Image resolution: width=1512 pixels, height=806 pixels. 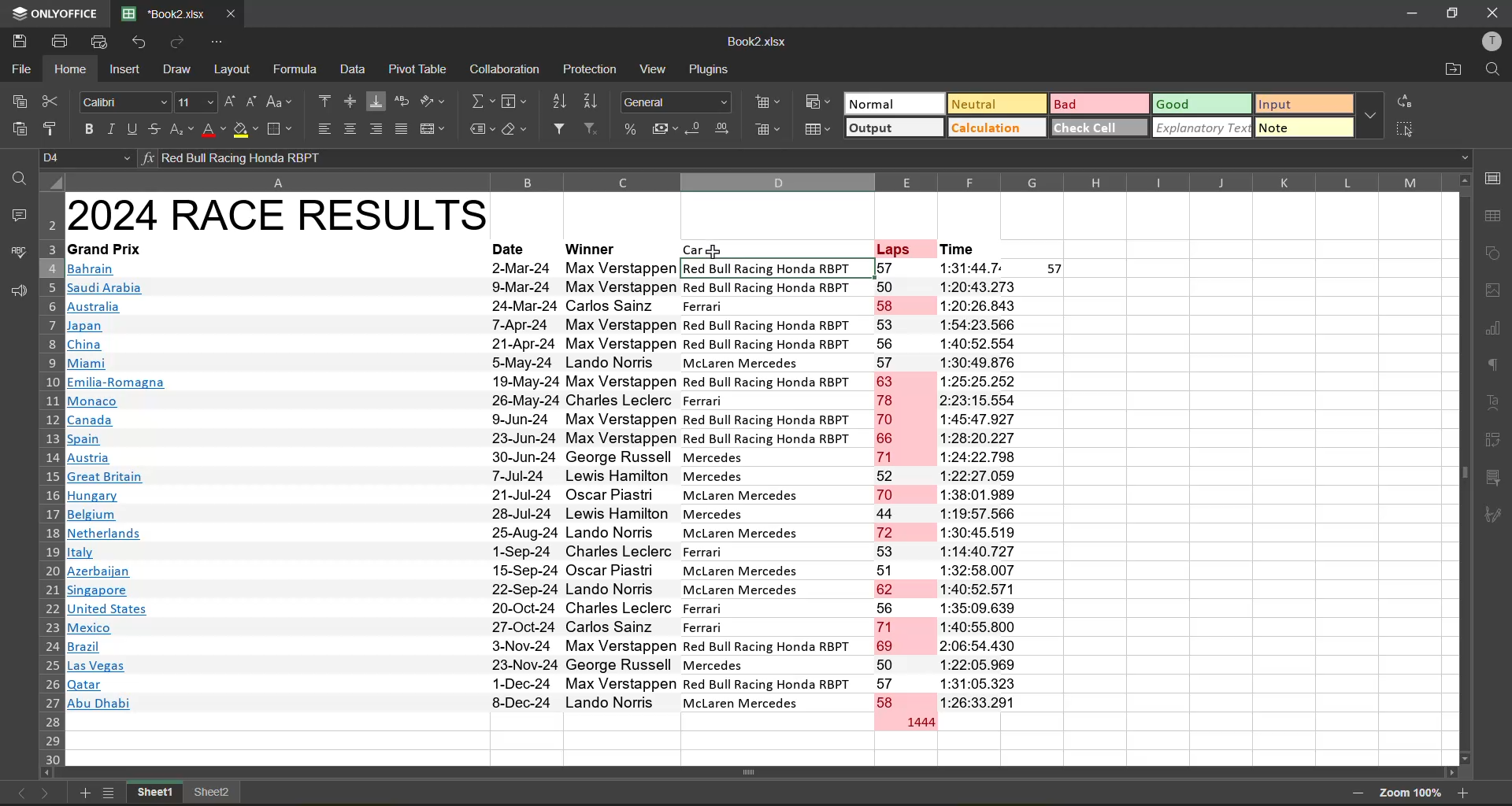 What do you see at coordinates (712, 68) in the screenshot?
I see `plugins` at bounding box center [712, 68].